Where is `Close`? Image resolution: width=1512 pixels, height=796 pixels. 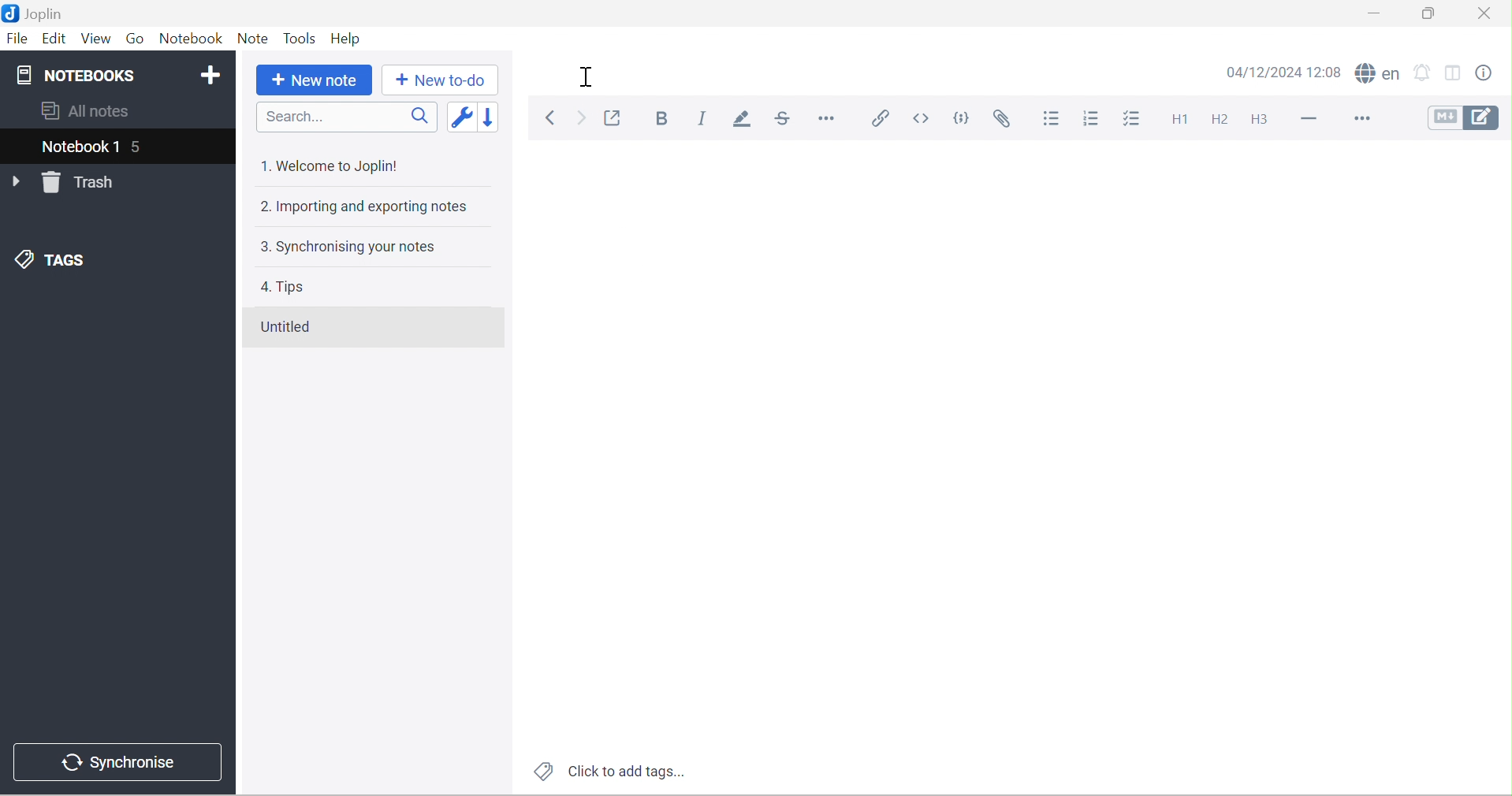
Close is located at coordinates (1487, 15).